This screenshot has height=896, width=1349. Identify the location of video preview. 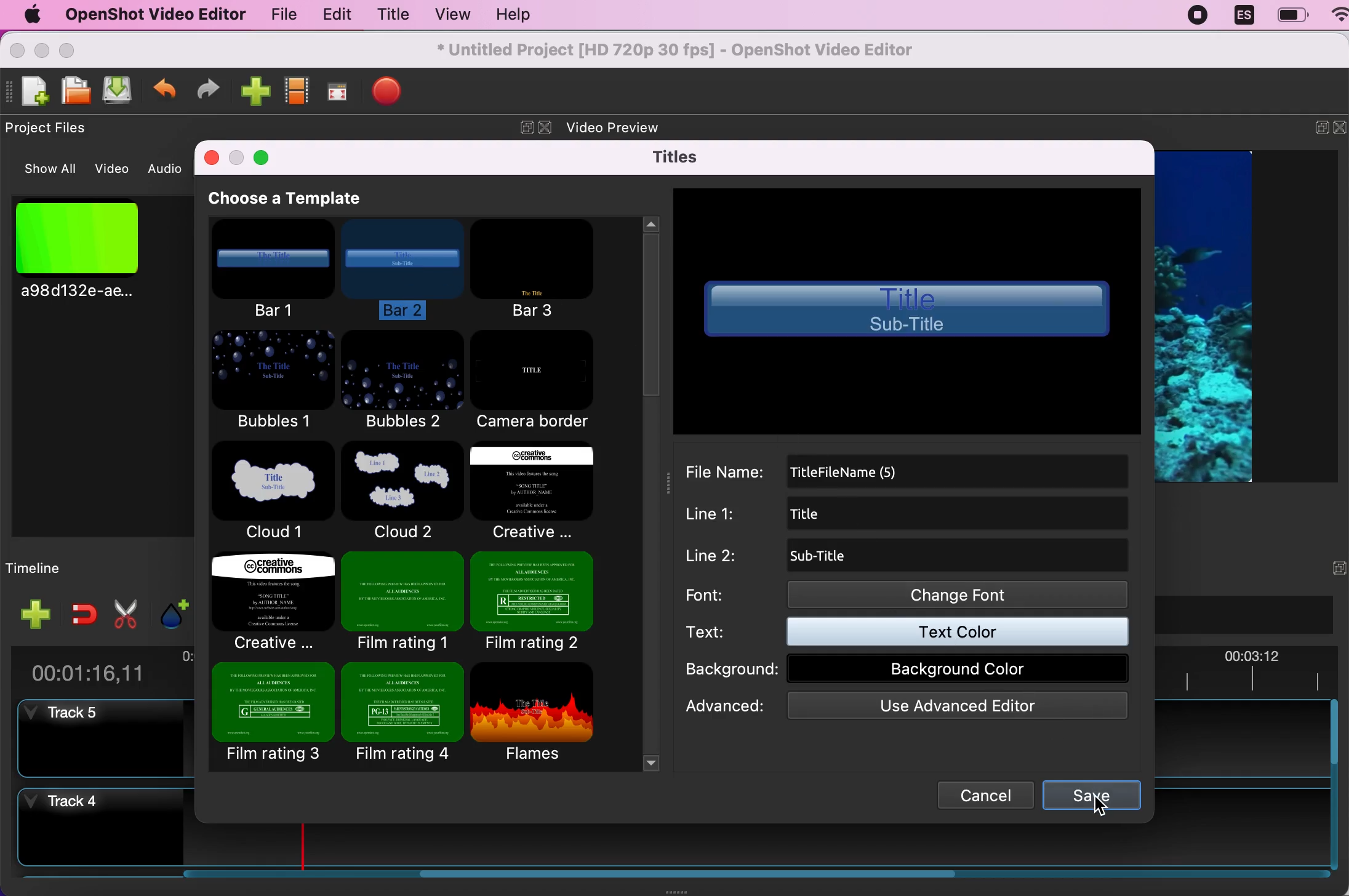
(1217, 314).